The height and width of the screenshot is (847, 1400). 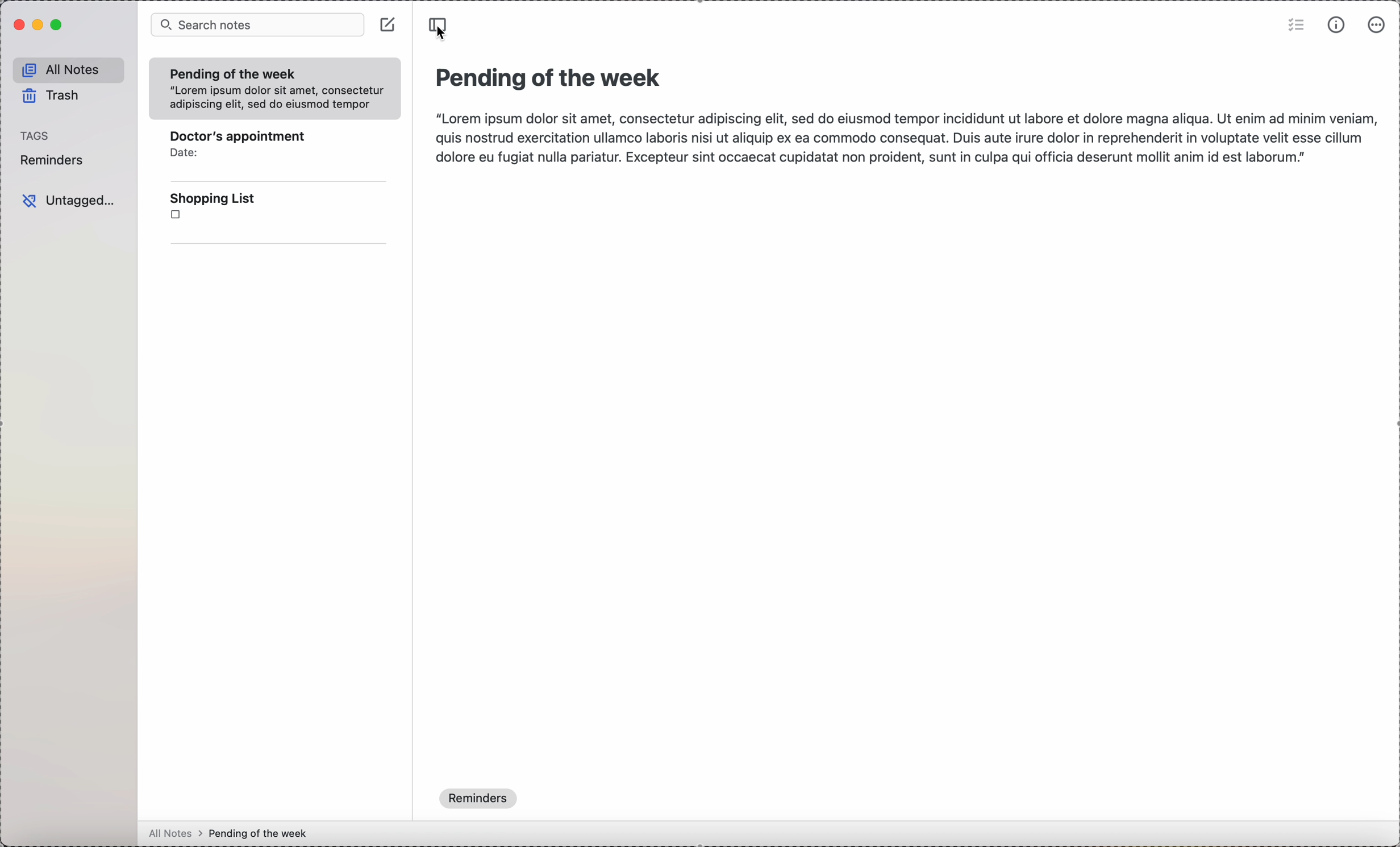 I want to click on more options, so click(x=1377, y=26).